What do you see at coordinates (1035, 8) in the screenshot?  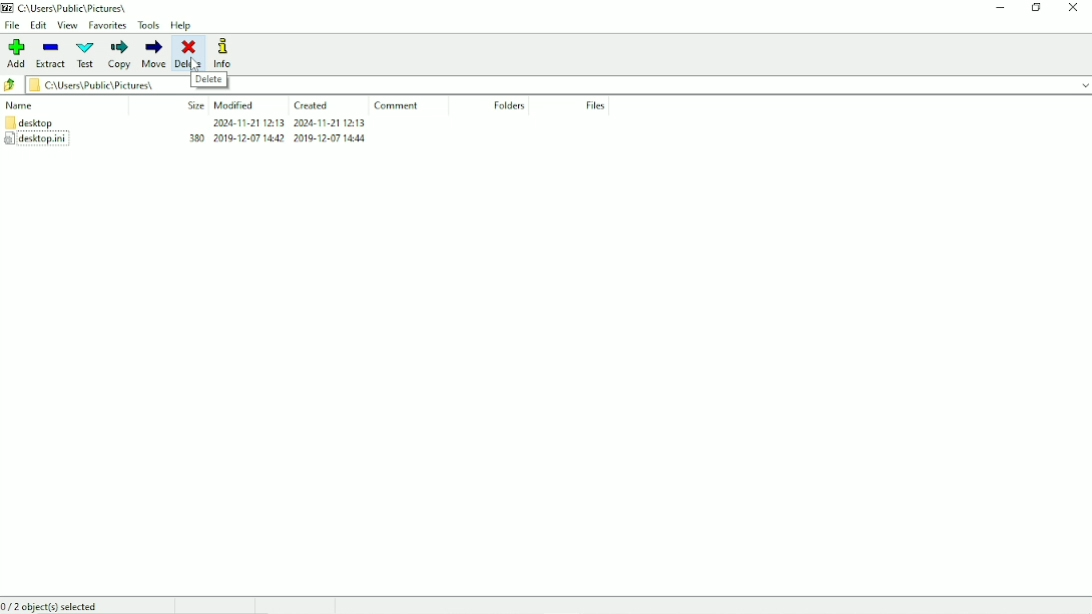 I see `Restore down` at bounding box center [1035, 8].